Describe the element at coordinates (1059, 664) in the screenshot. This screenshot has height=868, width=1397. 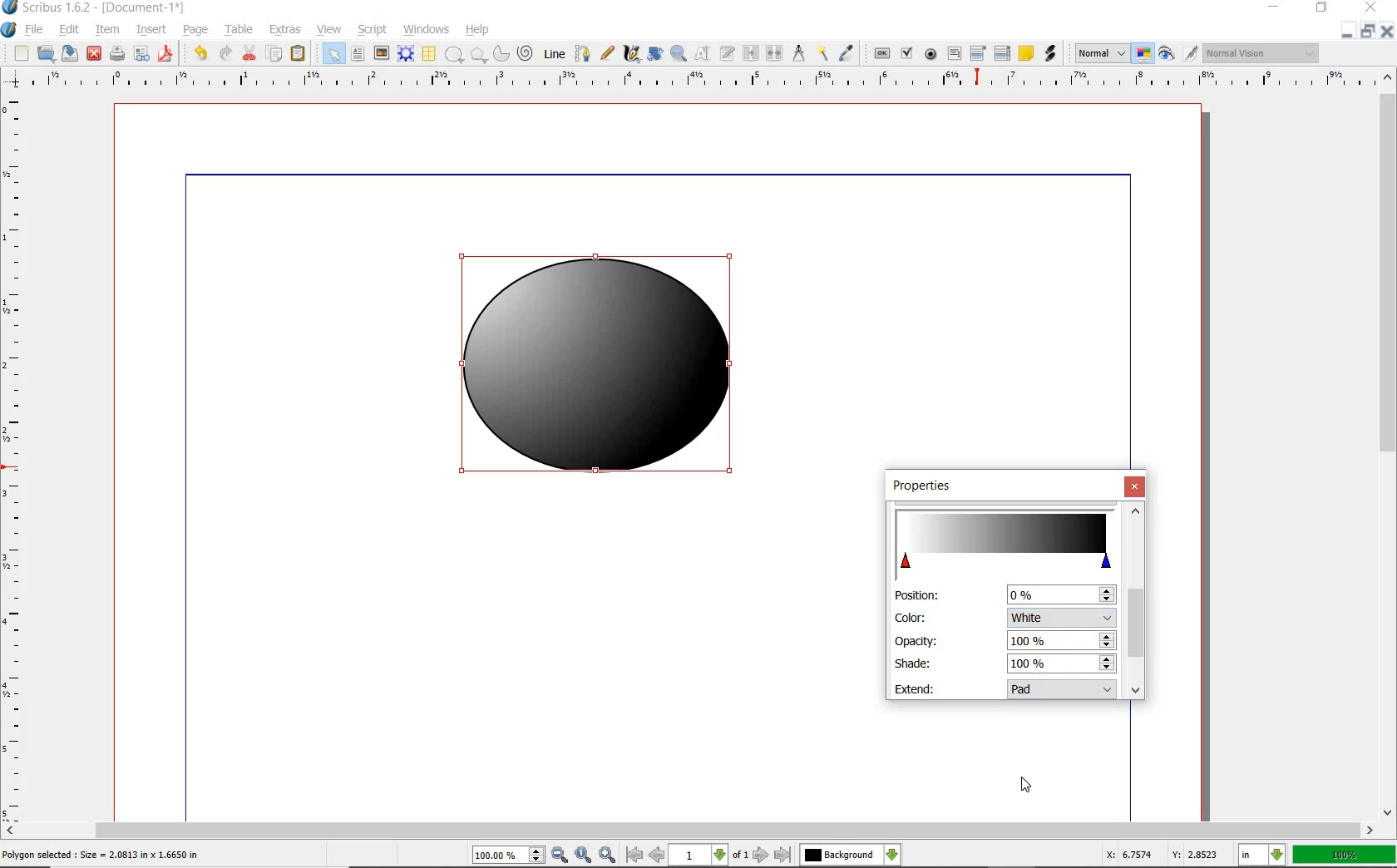
I see `shade` at that location.